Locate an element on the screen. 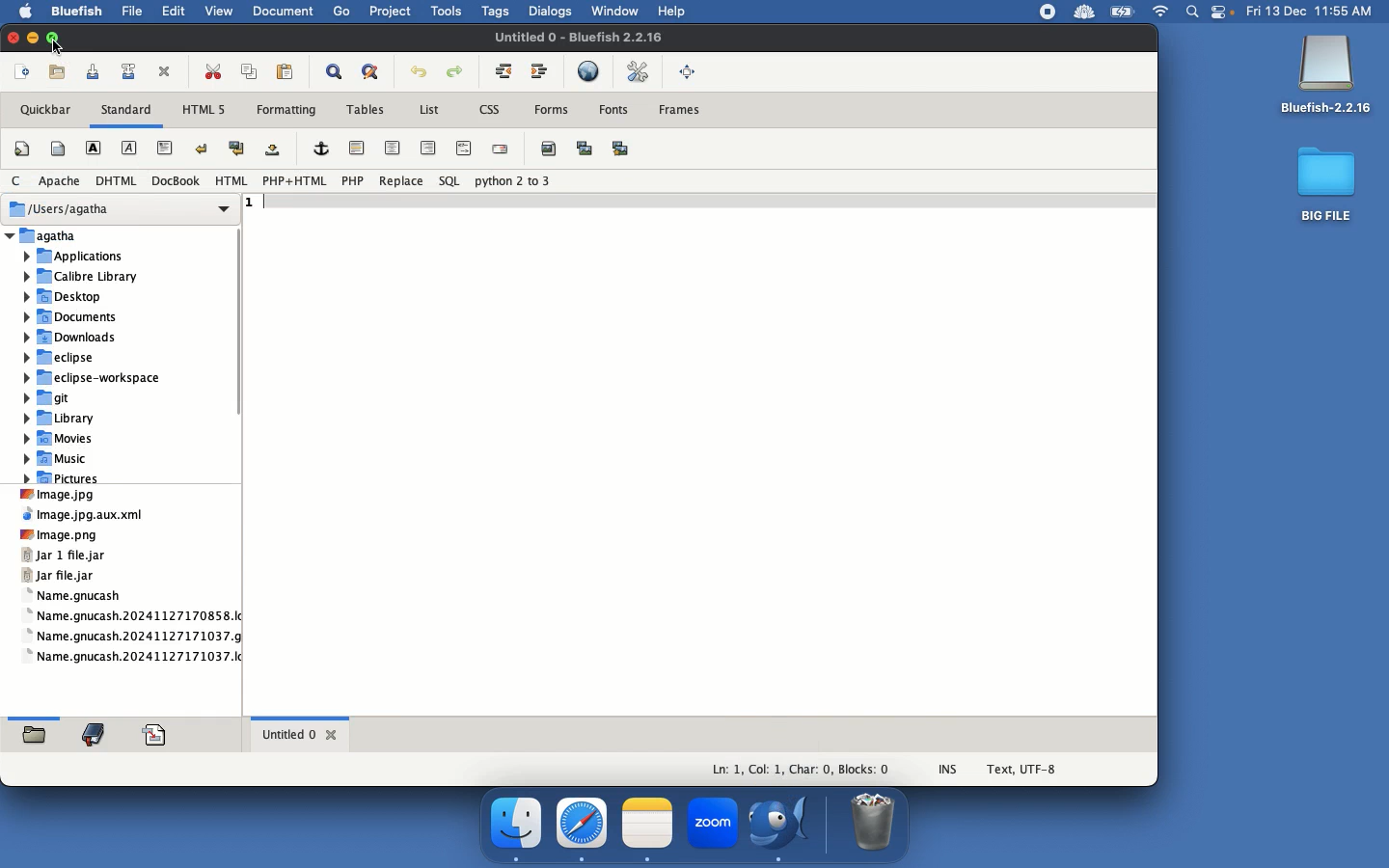 This screenshot has height=868, width=1389. Bluefish is located at coordinates (785, 826).